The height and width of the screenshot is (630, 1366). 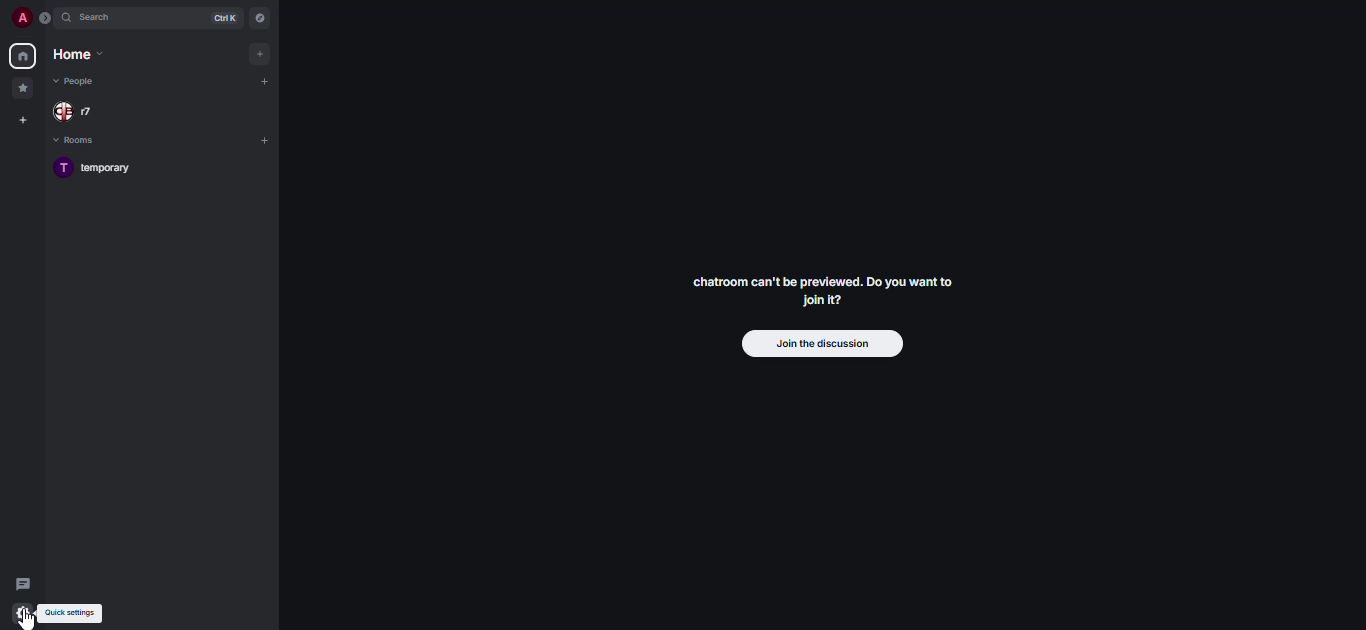 What do you see at coordinates (264, 83) in the screenshot?
I see `add` at bounding box center [264, 83].